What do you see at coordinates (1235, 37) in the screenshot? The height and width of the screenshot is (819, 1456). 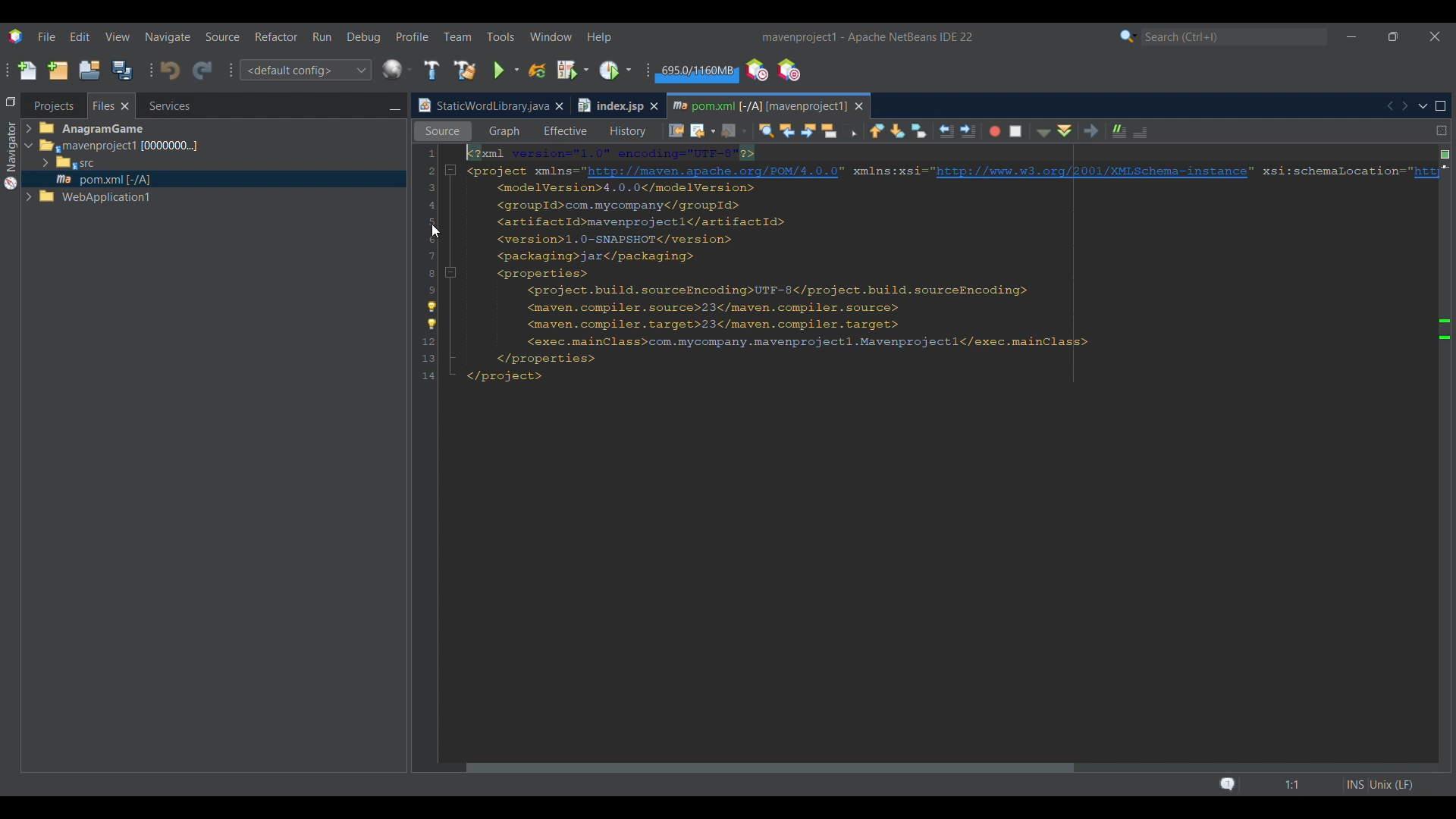 I see `Search` at bounding box center [1235, 37].